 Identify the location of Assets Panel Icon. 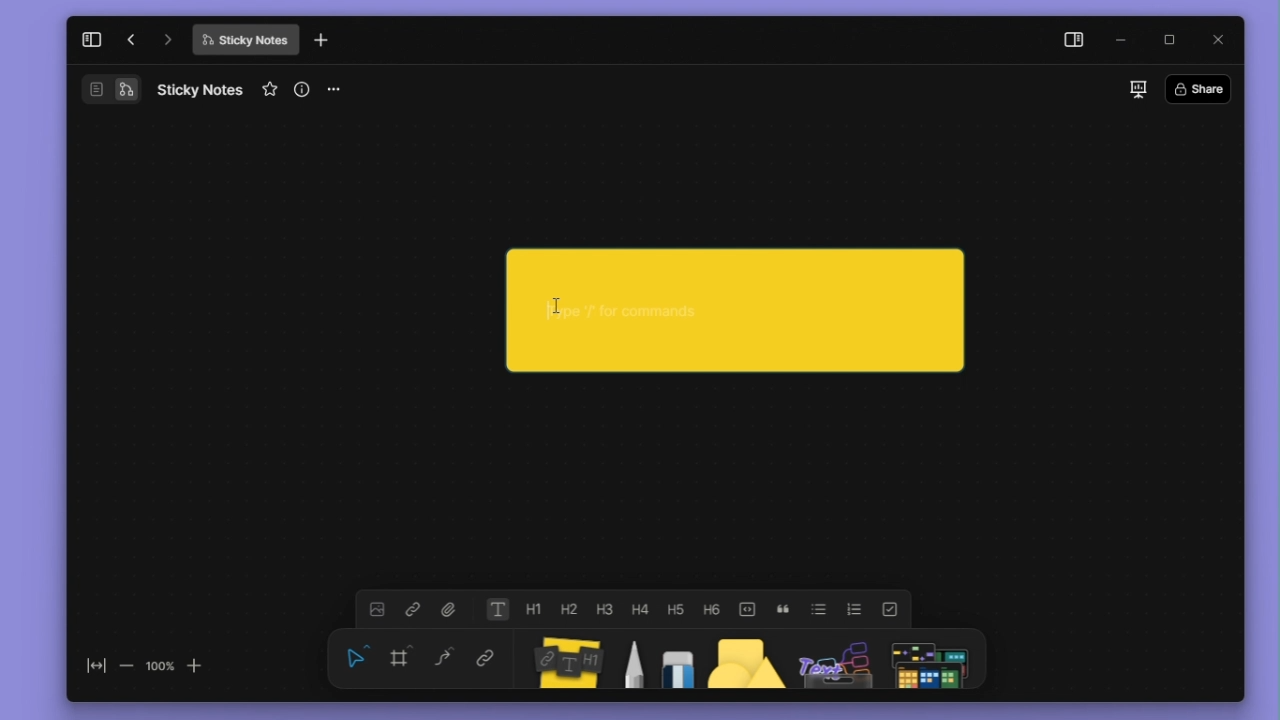
(833, 663).